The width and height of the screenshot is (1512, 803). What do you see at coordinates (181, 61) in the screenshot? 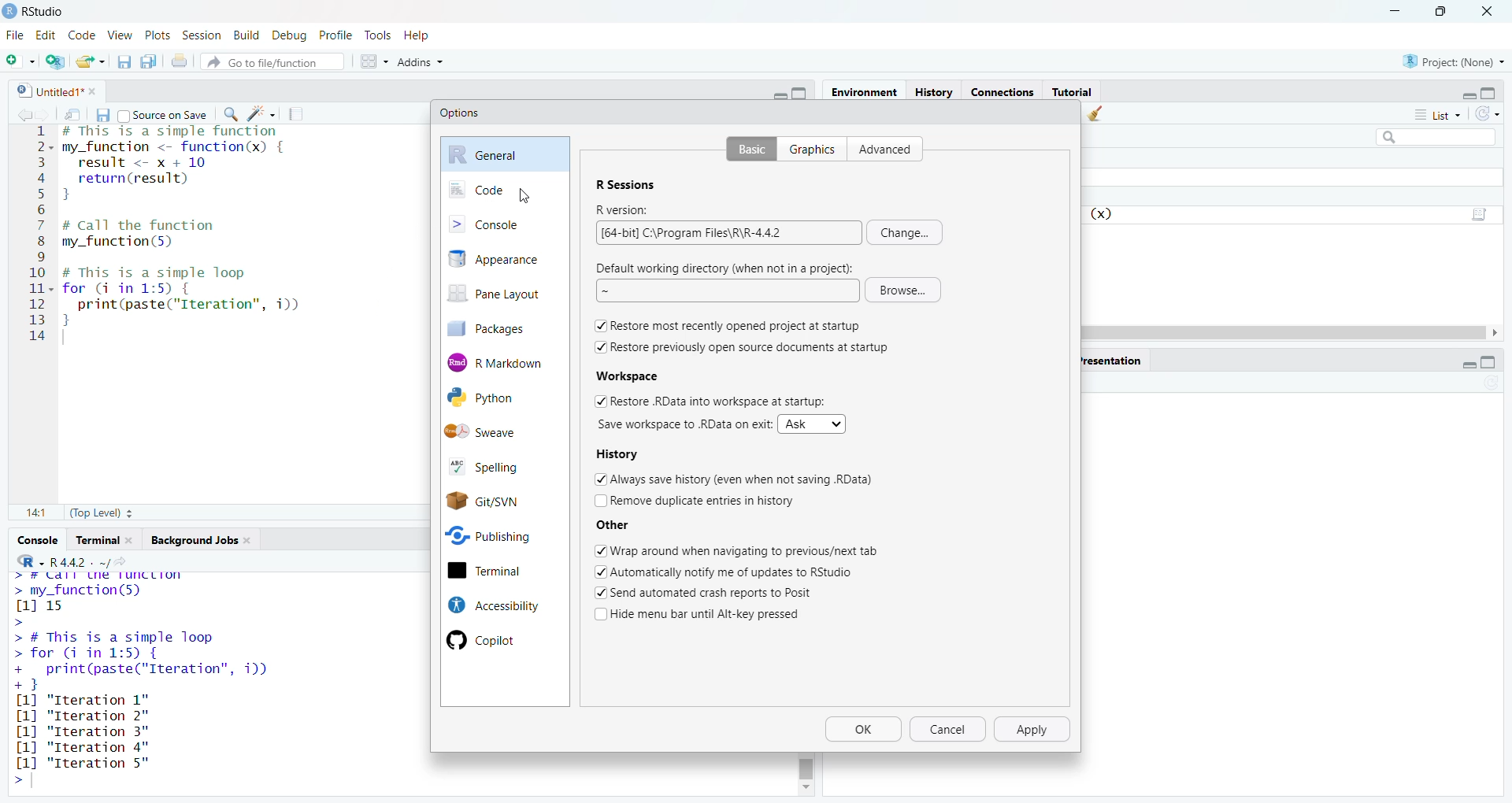
I see `print the current file` at bounding box center [181, 61].